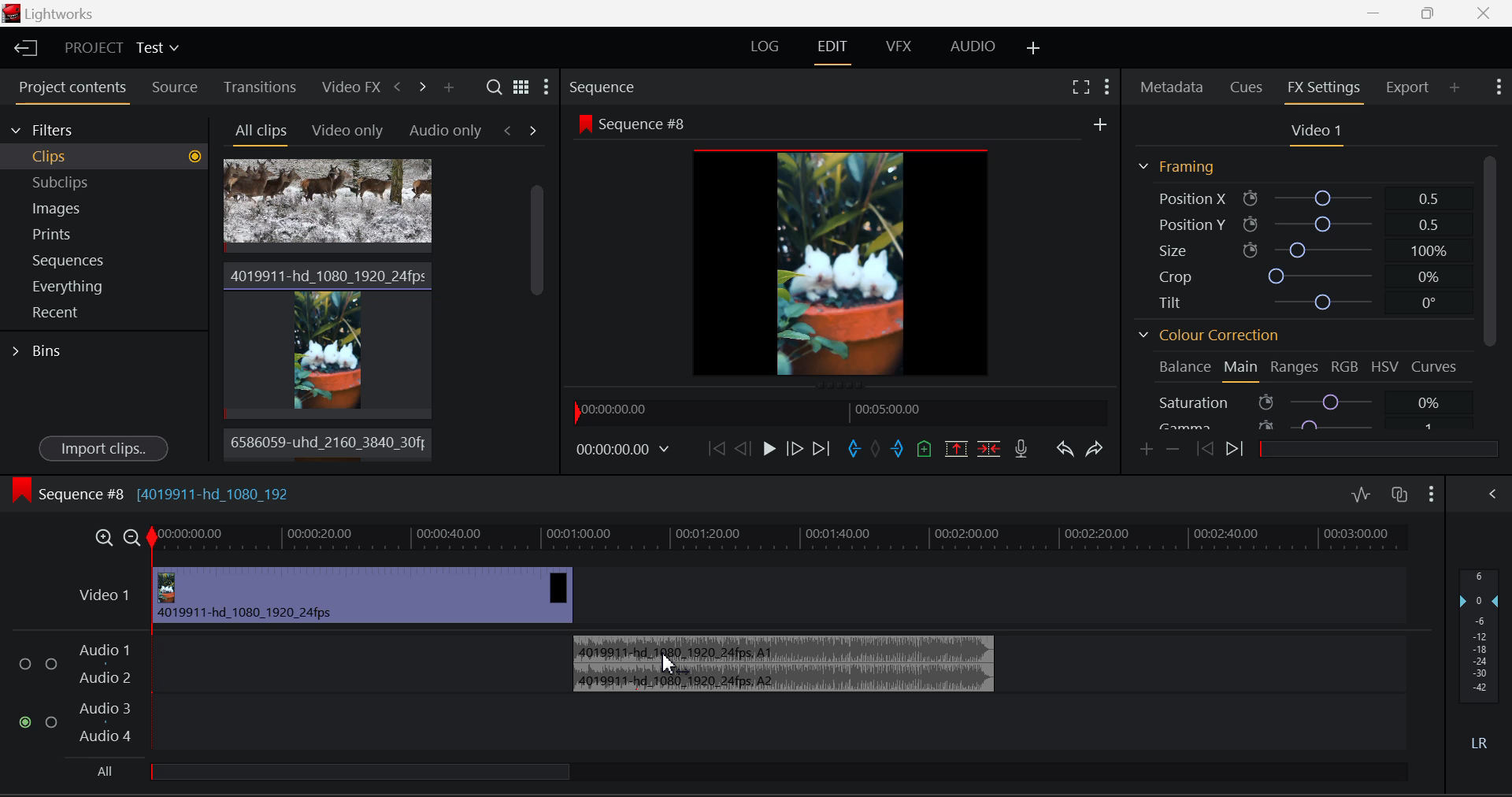 The width and height of the screenshot is (1512, 797). I want to click on cursor, so click(665, 664).